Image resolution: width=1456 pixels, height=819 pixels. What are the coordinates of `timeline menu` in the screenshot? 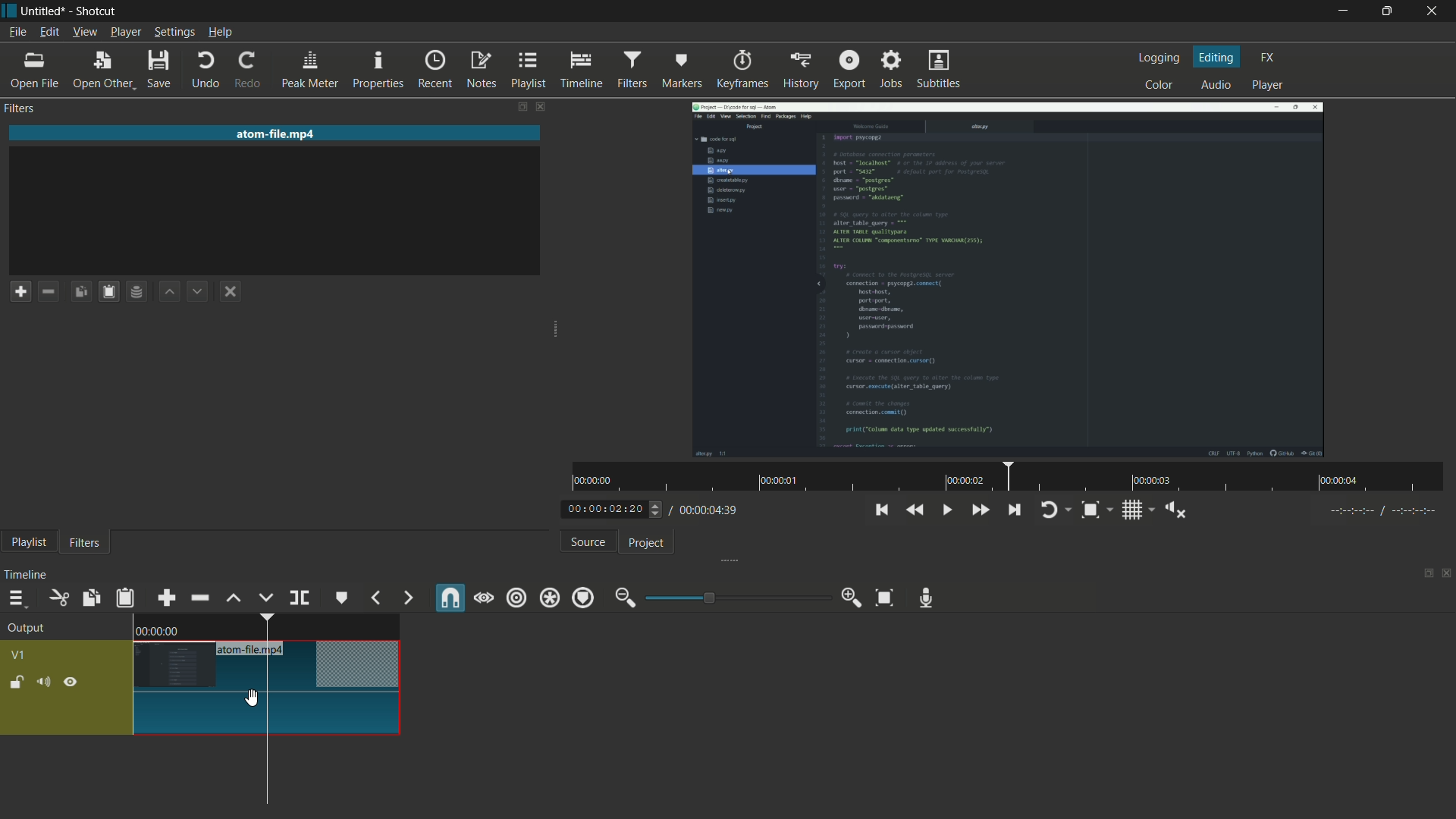 It's located at (20, 599).